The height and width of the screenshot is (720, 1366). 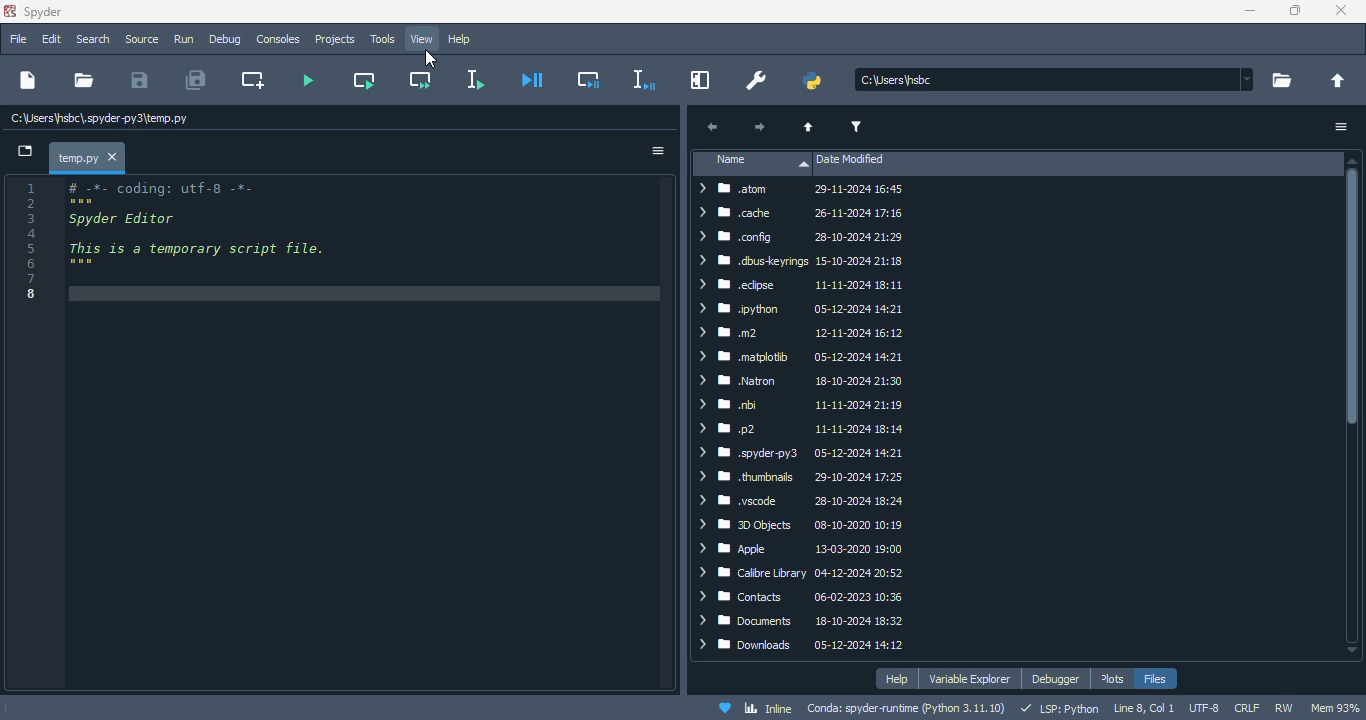 What do you see at coordinates (726, 709) in the screenshot?
I see `help spyder!` at bounding box center [726, 709].